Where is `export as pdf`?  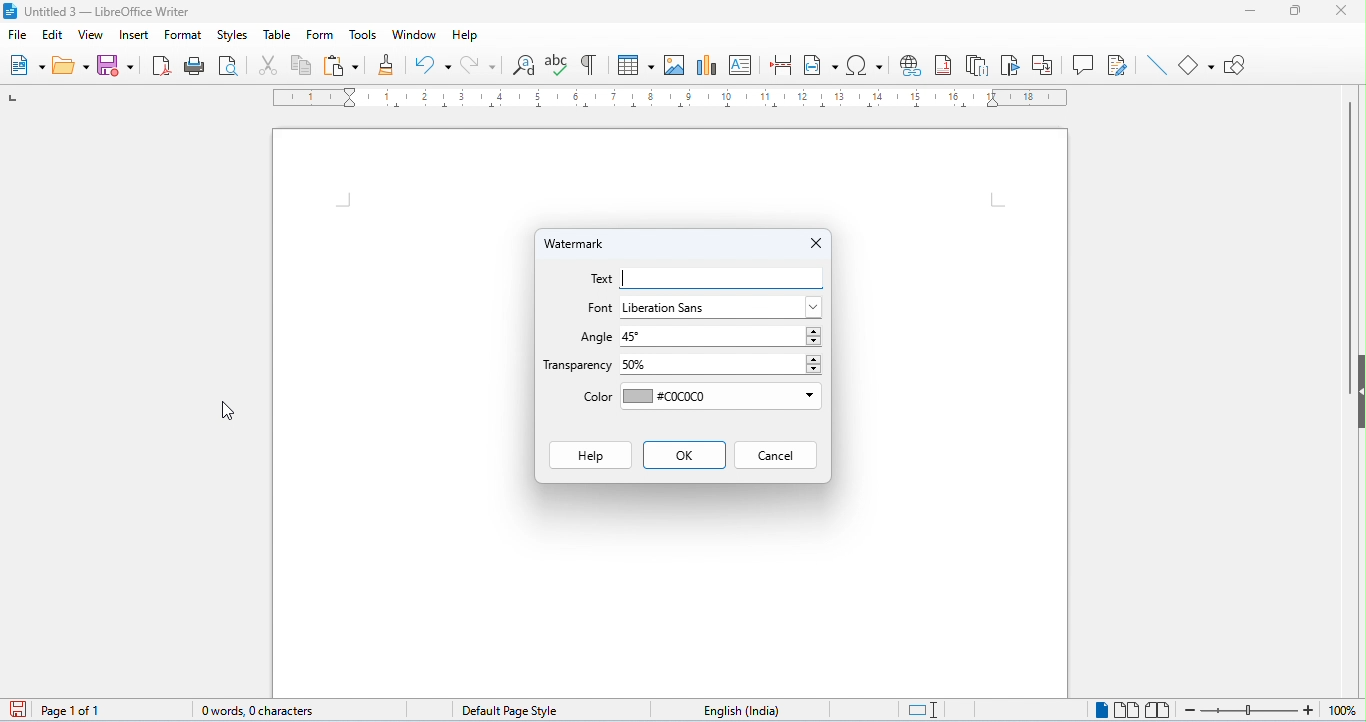 export as pdf is located at coordinates (162, 65).